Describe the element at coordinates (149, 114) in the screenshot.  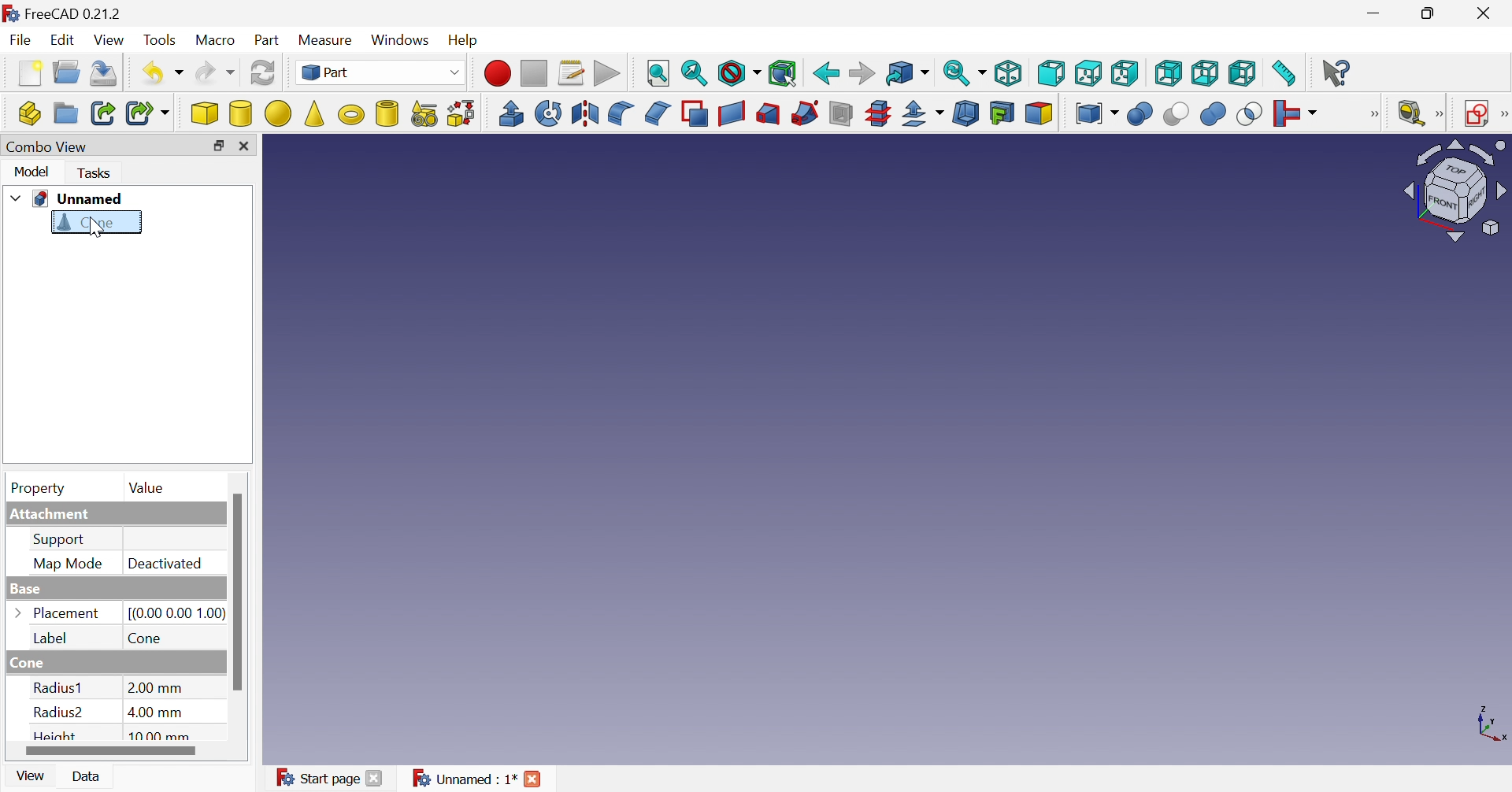
I see `Male sub-link` at that location.